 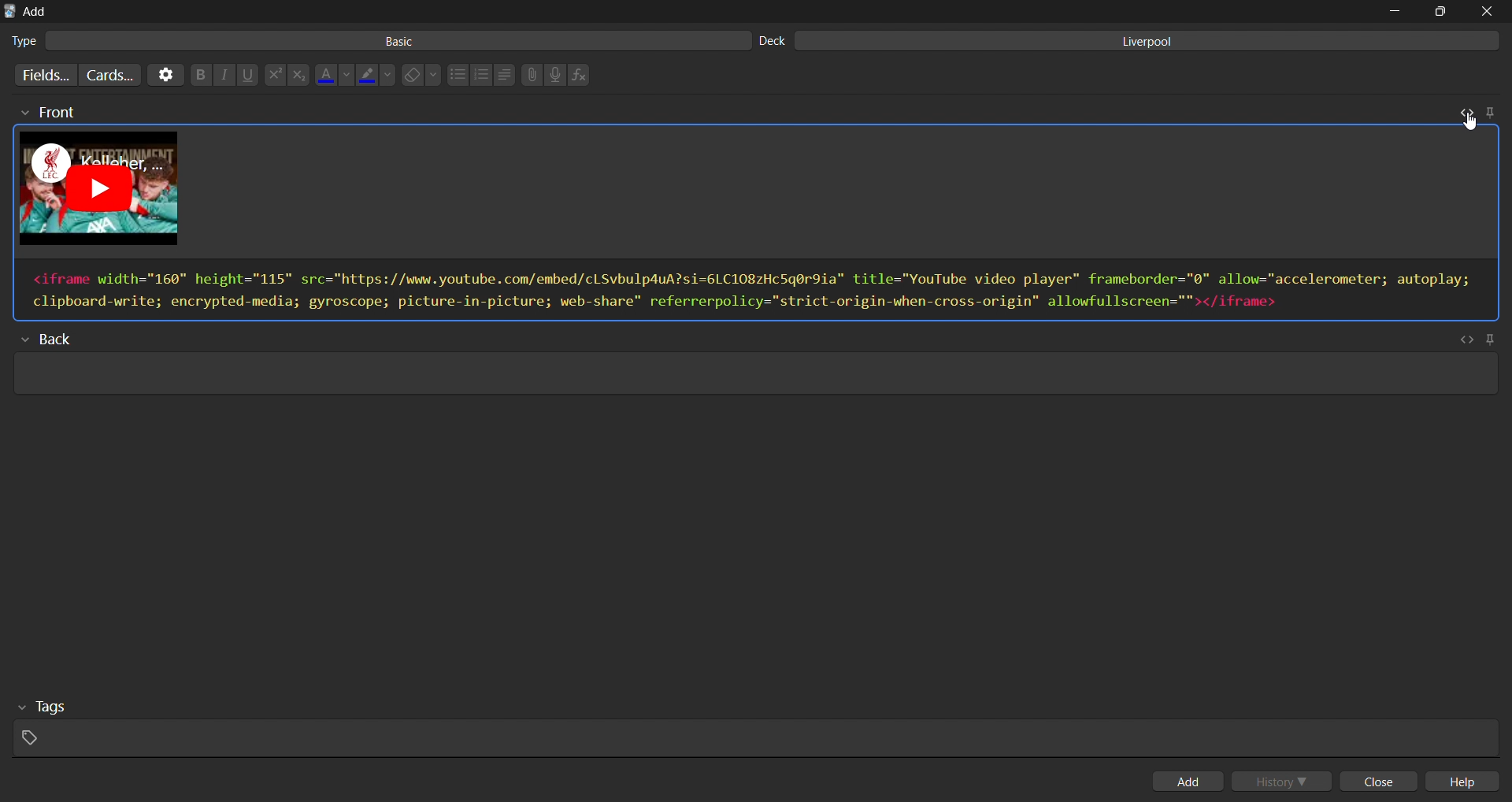 I want to click on customize card templates, so click(x=109, y=74).